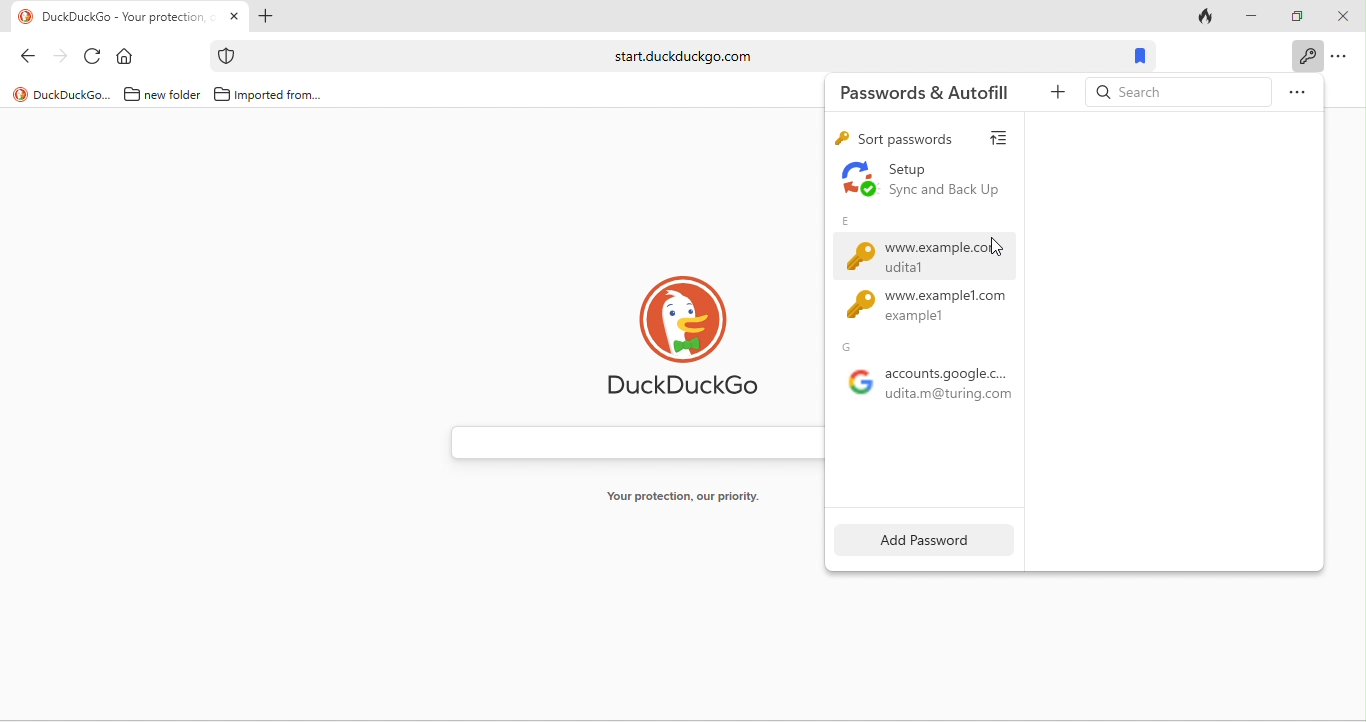 The width and height of the screenshot is (1366, 722). I want to click on reload, so click(94, 58).